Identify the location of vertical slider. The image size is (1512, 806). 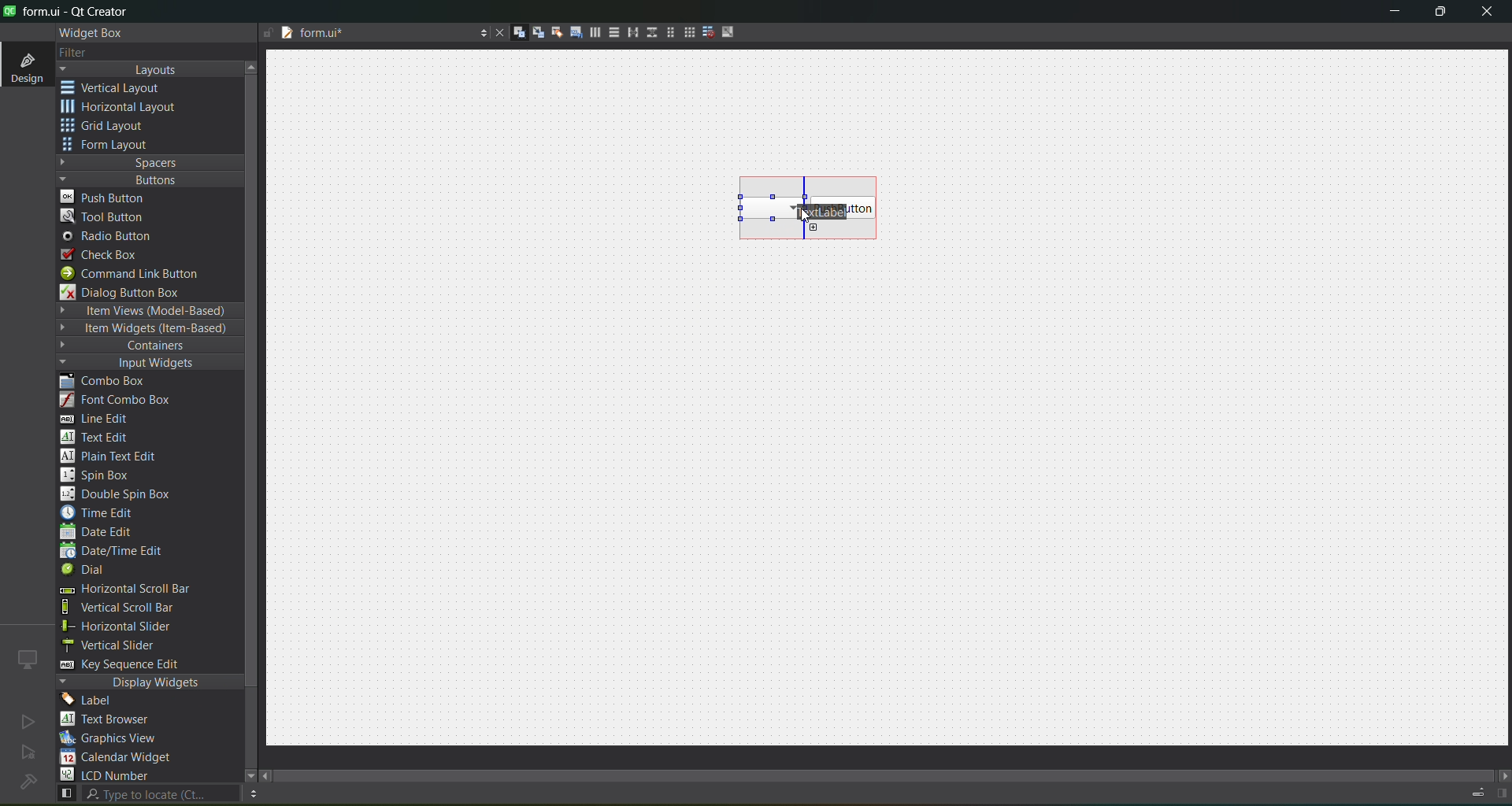
(124, 645).